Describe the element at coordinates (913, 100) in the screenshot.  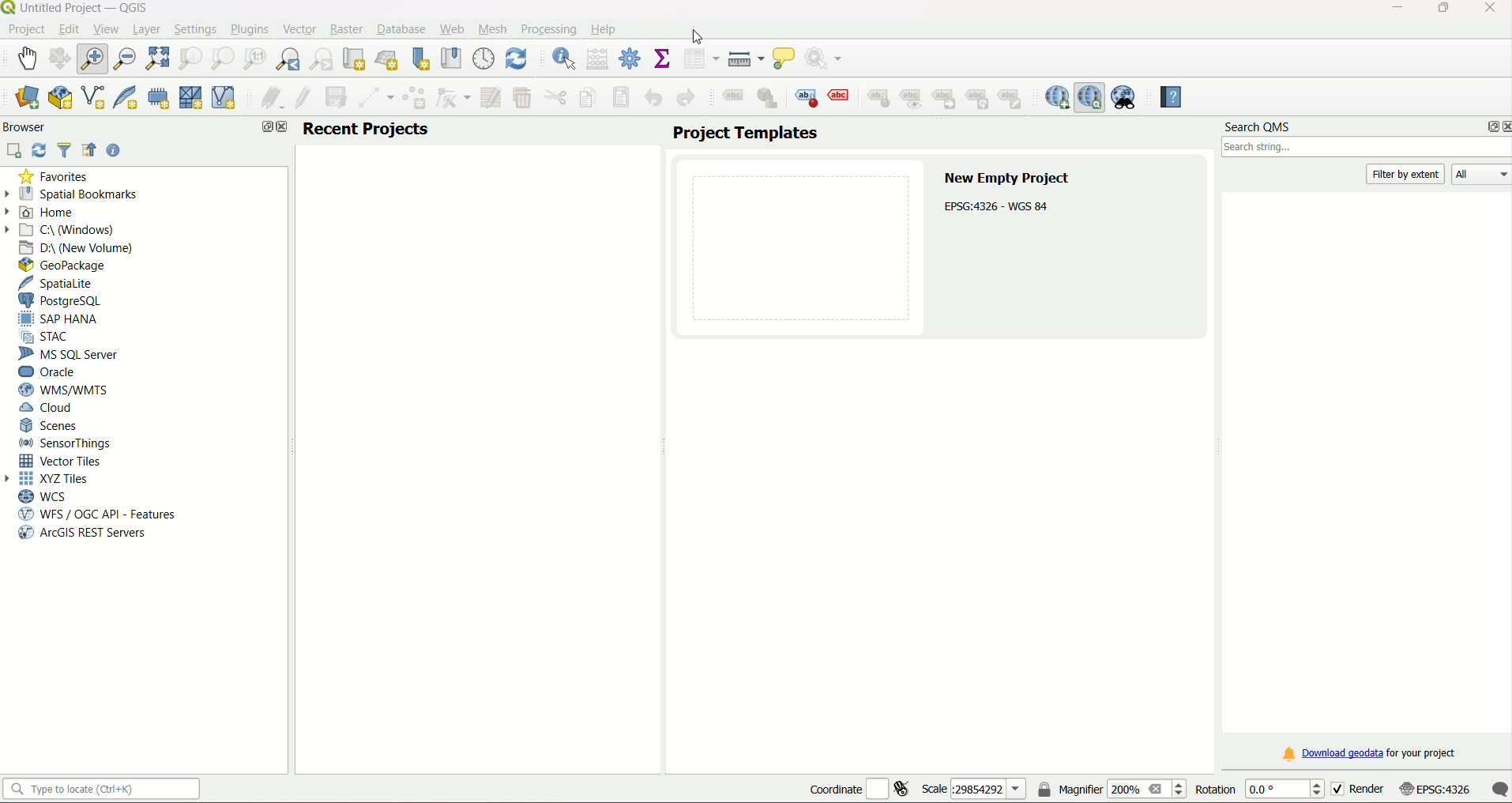
I see `show/hide label` at that location.